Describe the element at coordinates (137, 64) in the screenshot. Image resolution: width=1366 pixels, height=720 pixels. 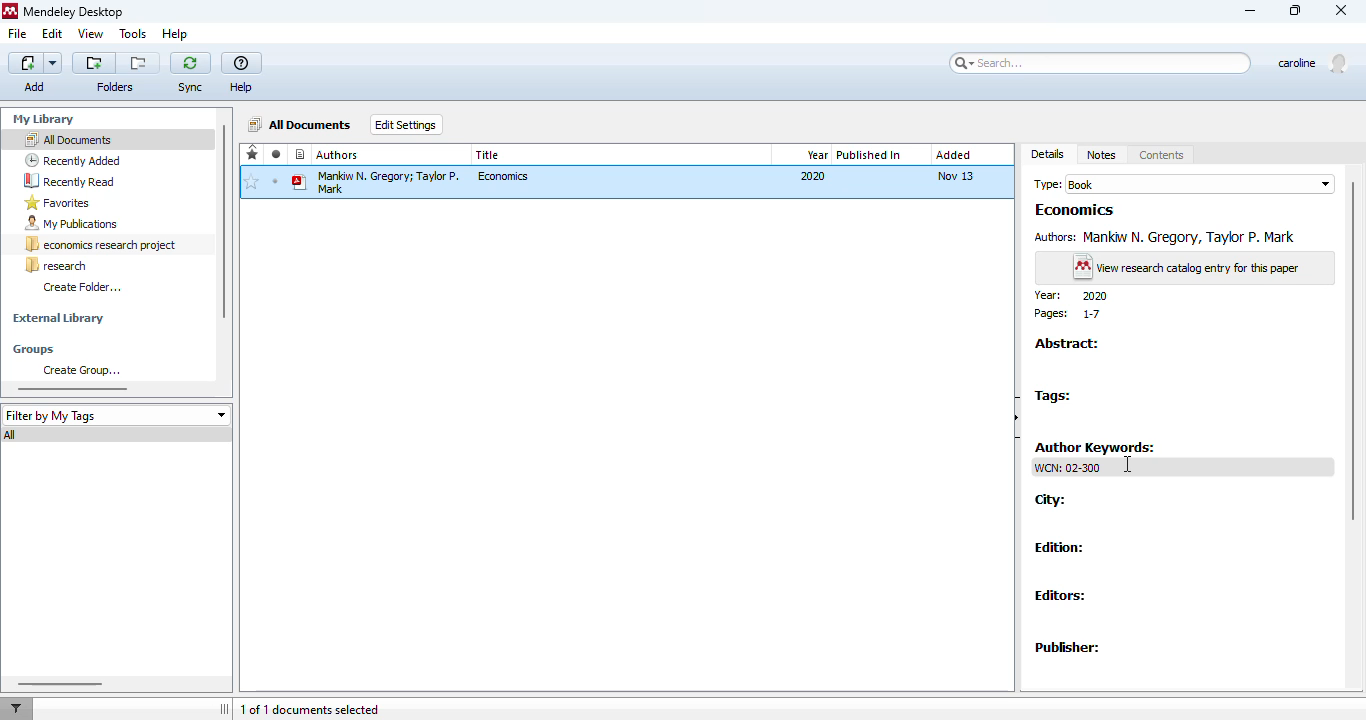
I see `remove the current folder` at that location.